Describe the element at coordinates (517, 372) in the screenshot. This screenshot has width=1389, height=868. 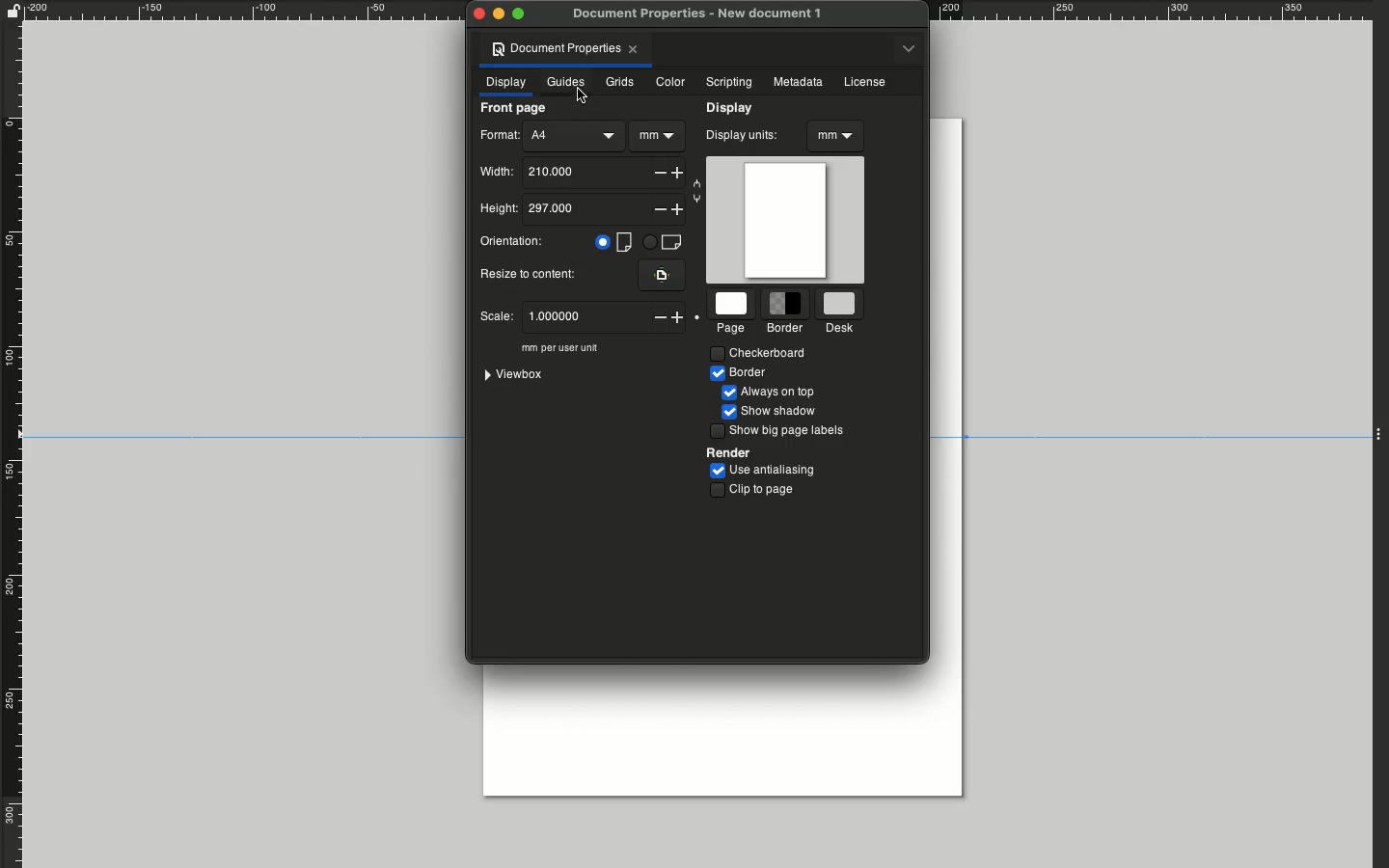
I see `Viewbox` at that location.